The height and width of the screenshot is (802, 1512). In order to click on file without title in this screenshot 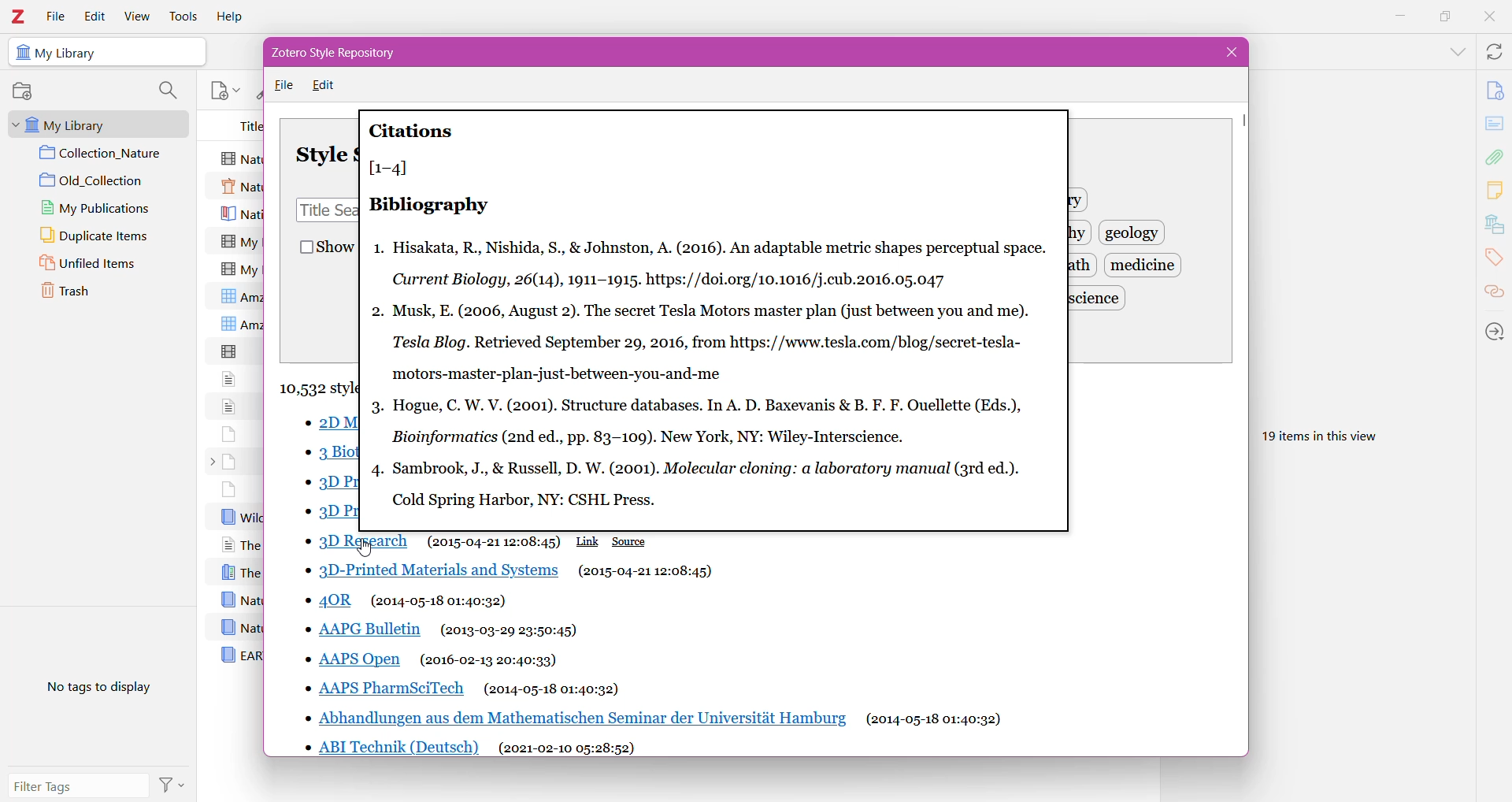, I will do `click(229, 433)`.